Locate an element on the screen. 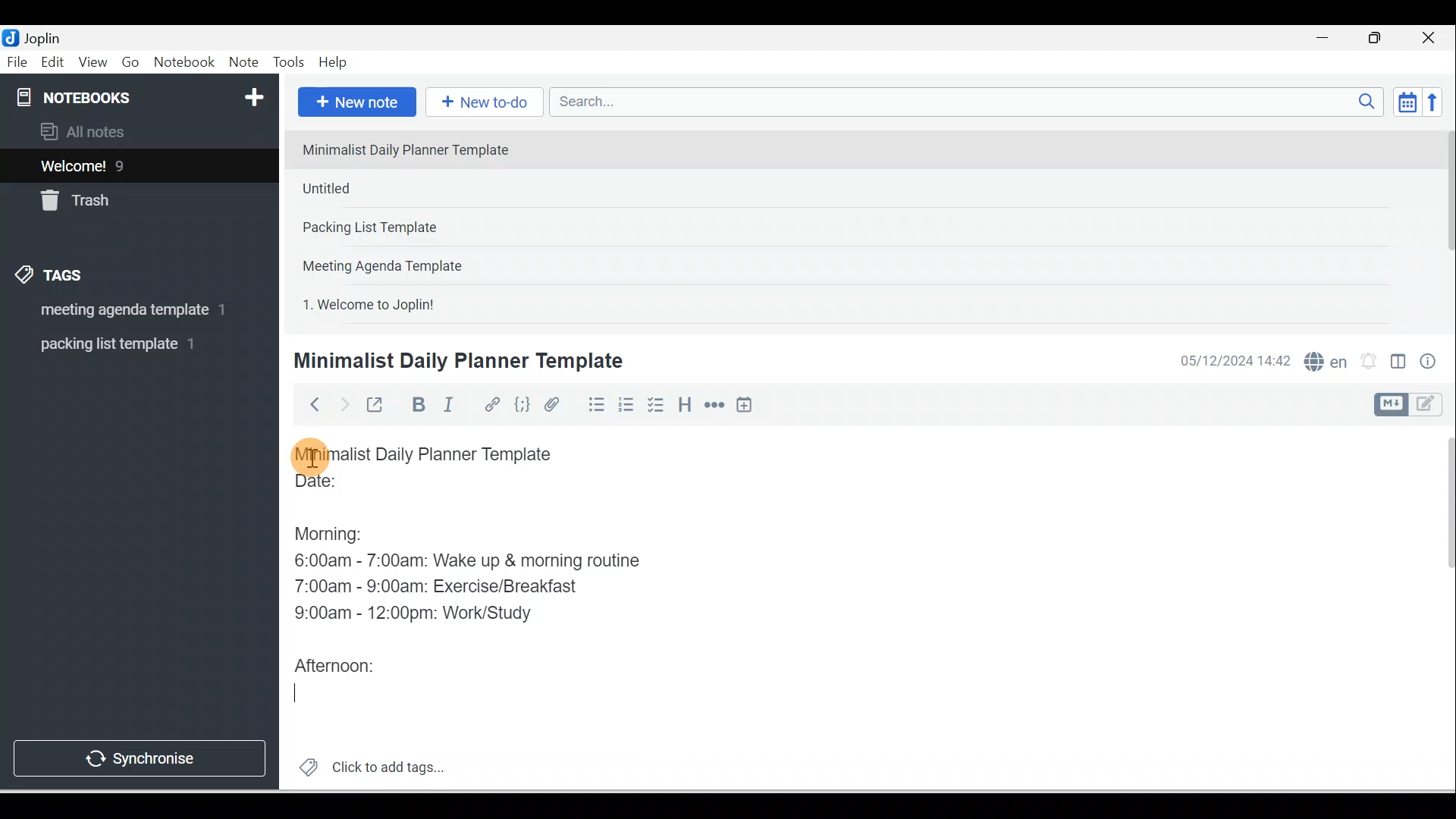  Note 1 is located at coordinates (416, 149).